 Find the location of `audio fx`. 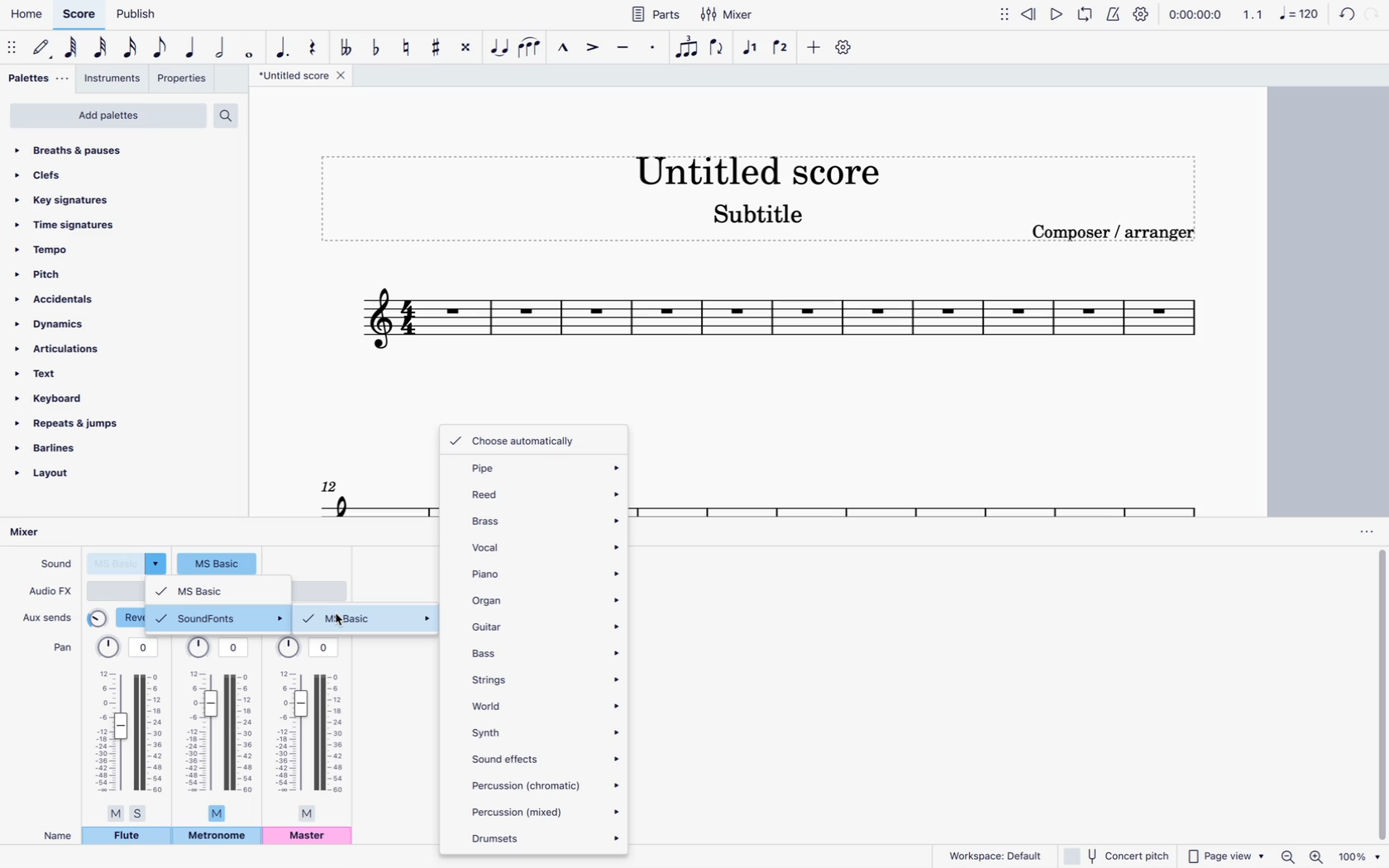

audio fx is located at coordinates (50, 591).